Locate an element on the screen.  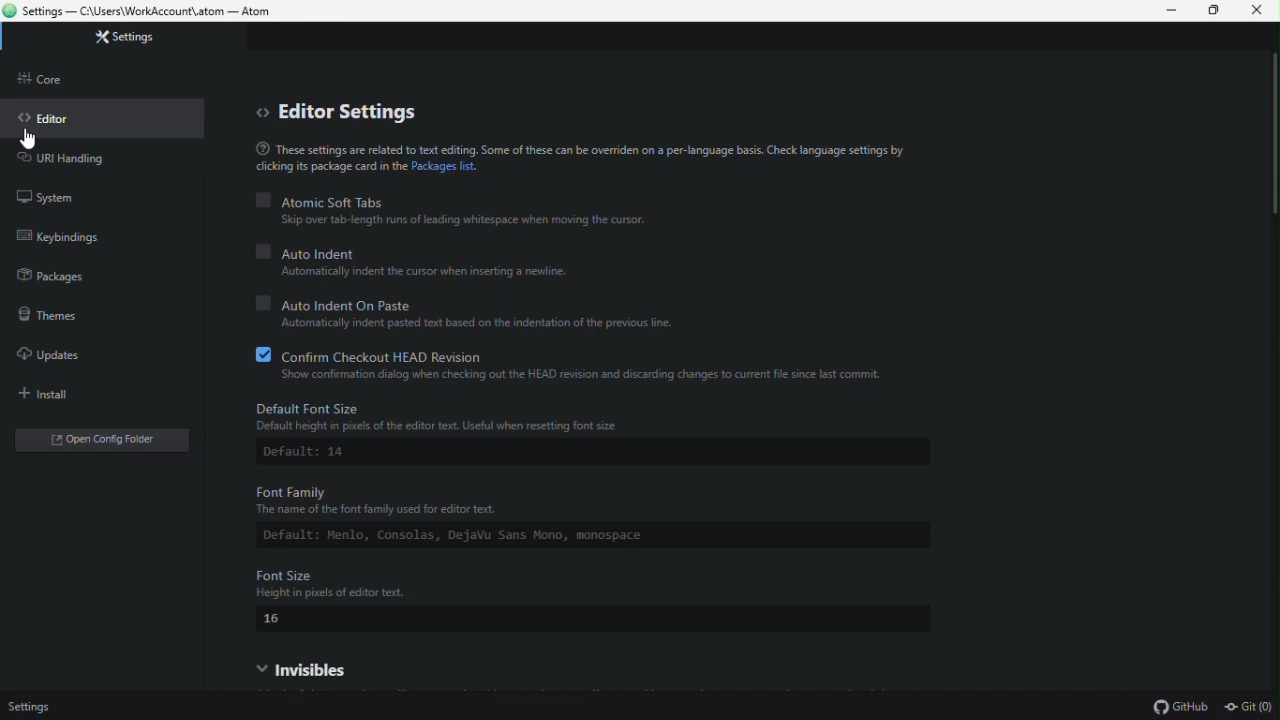
System is located at coordinates (55, 197).